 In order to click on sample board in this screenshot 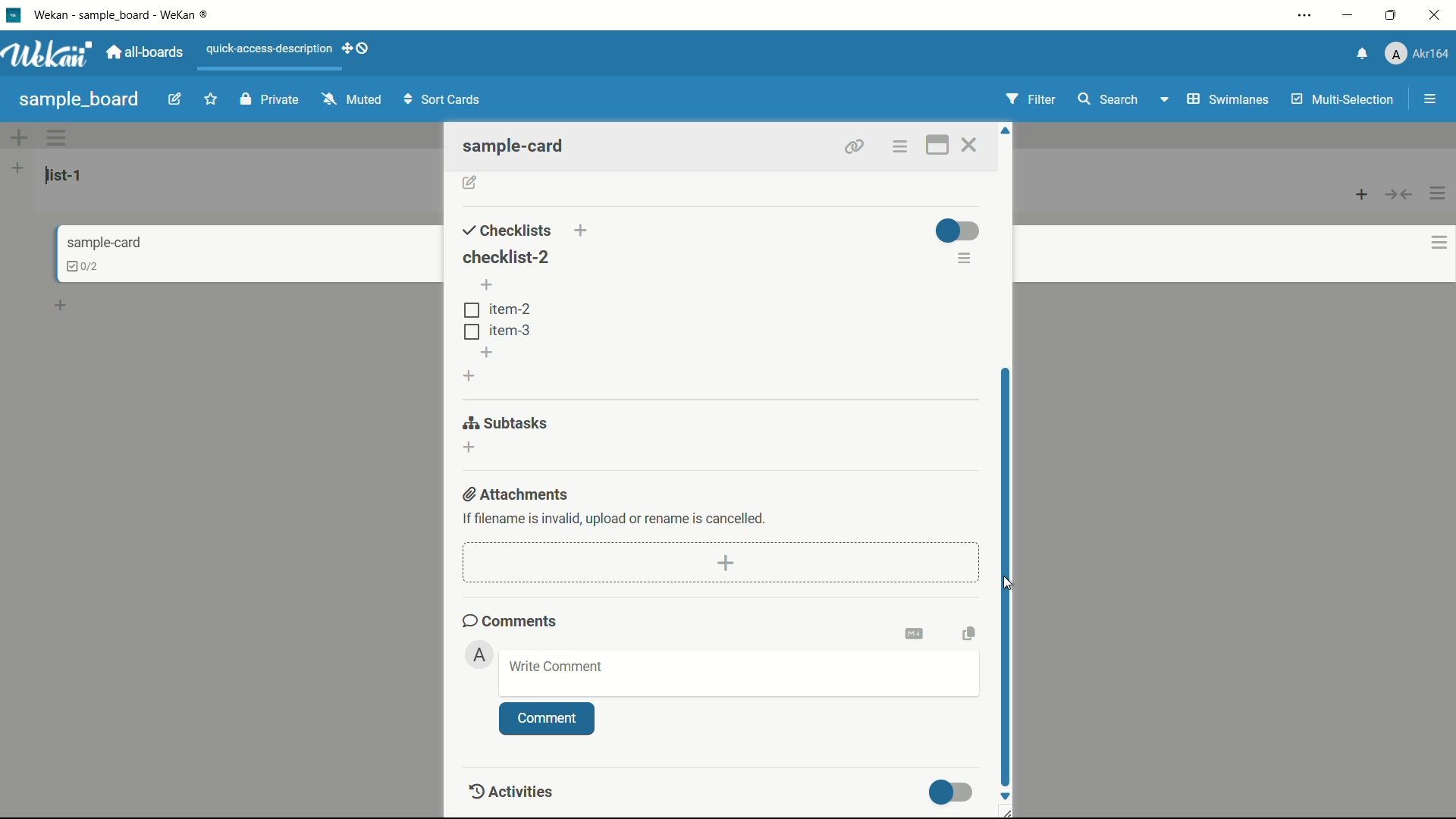, I will do `click(79, 99)`.